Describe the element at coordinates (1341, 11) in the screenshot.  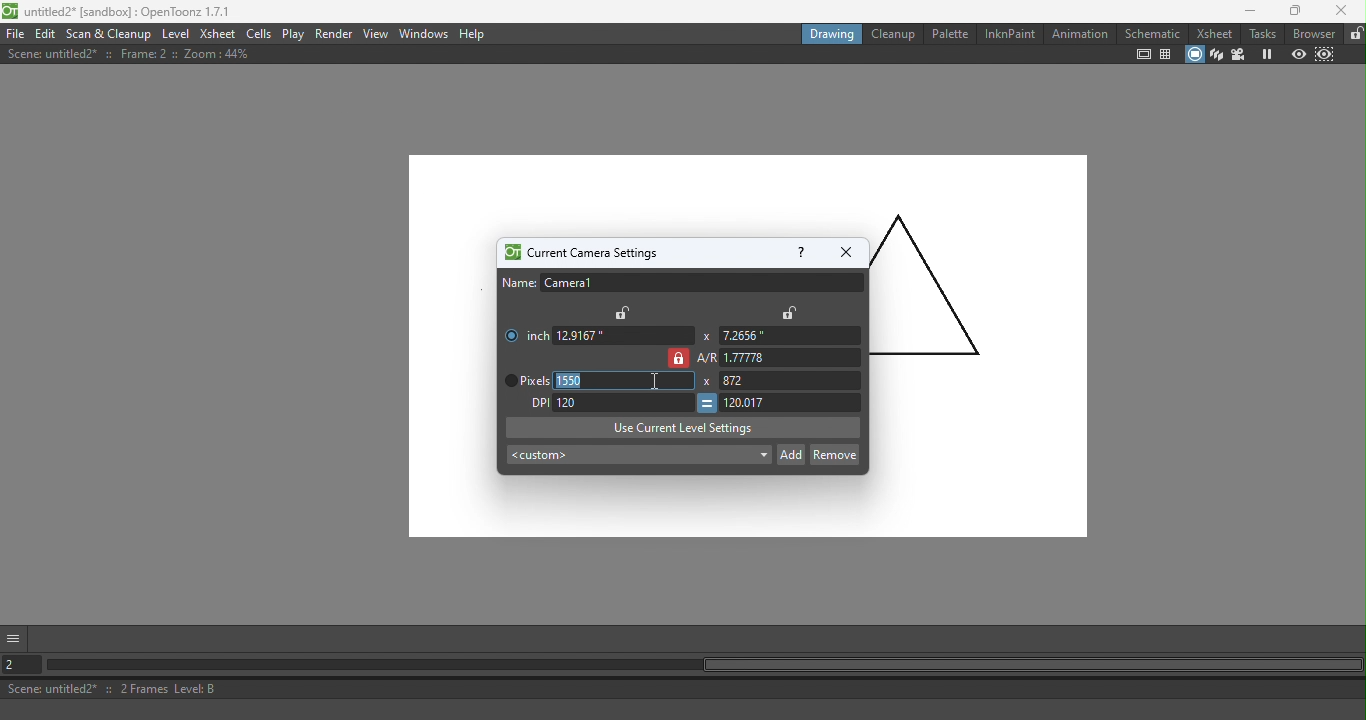
I see `Close` at that location.